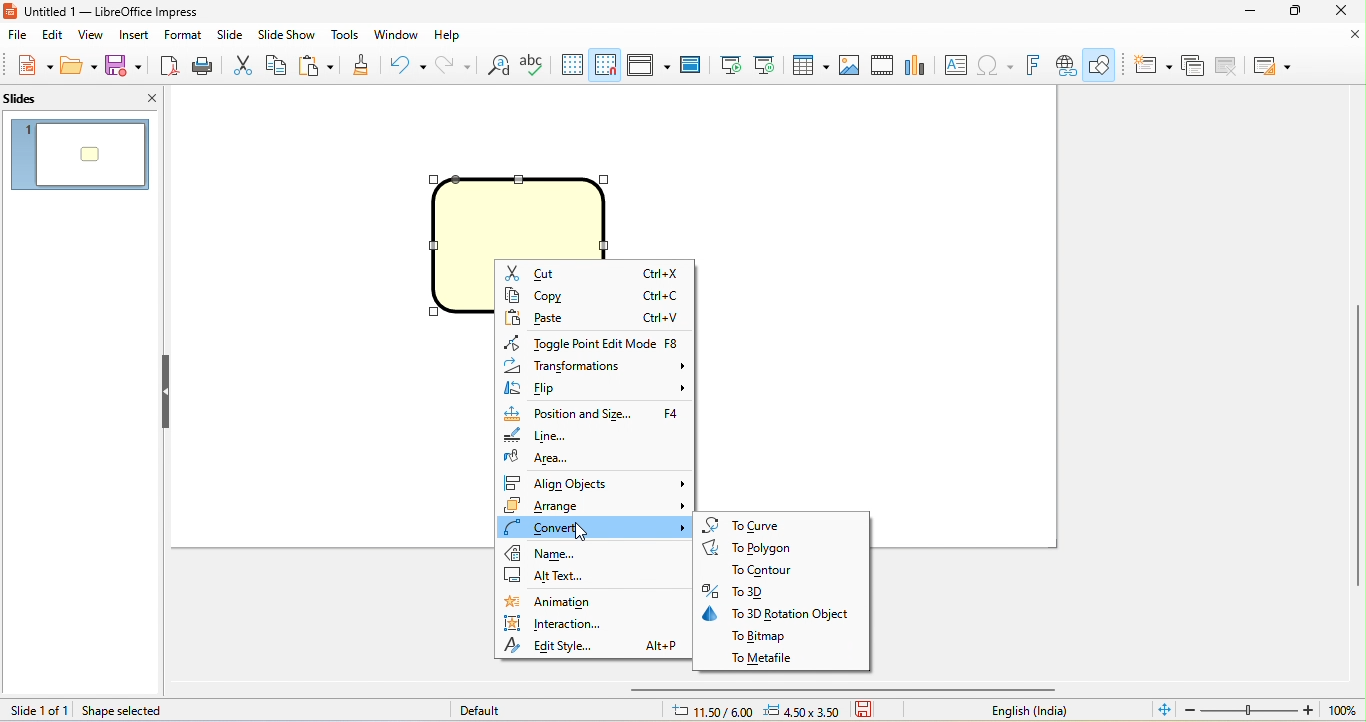  What do you see at coordinates (595, 505) in the screenshot?
I see `arrange` at bounding box center [595, 505].